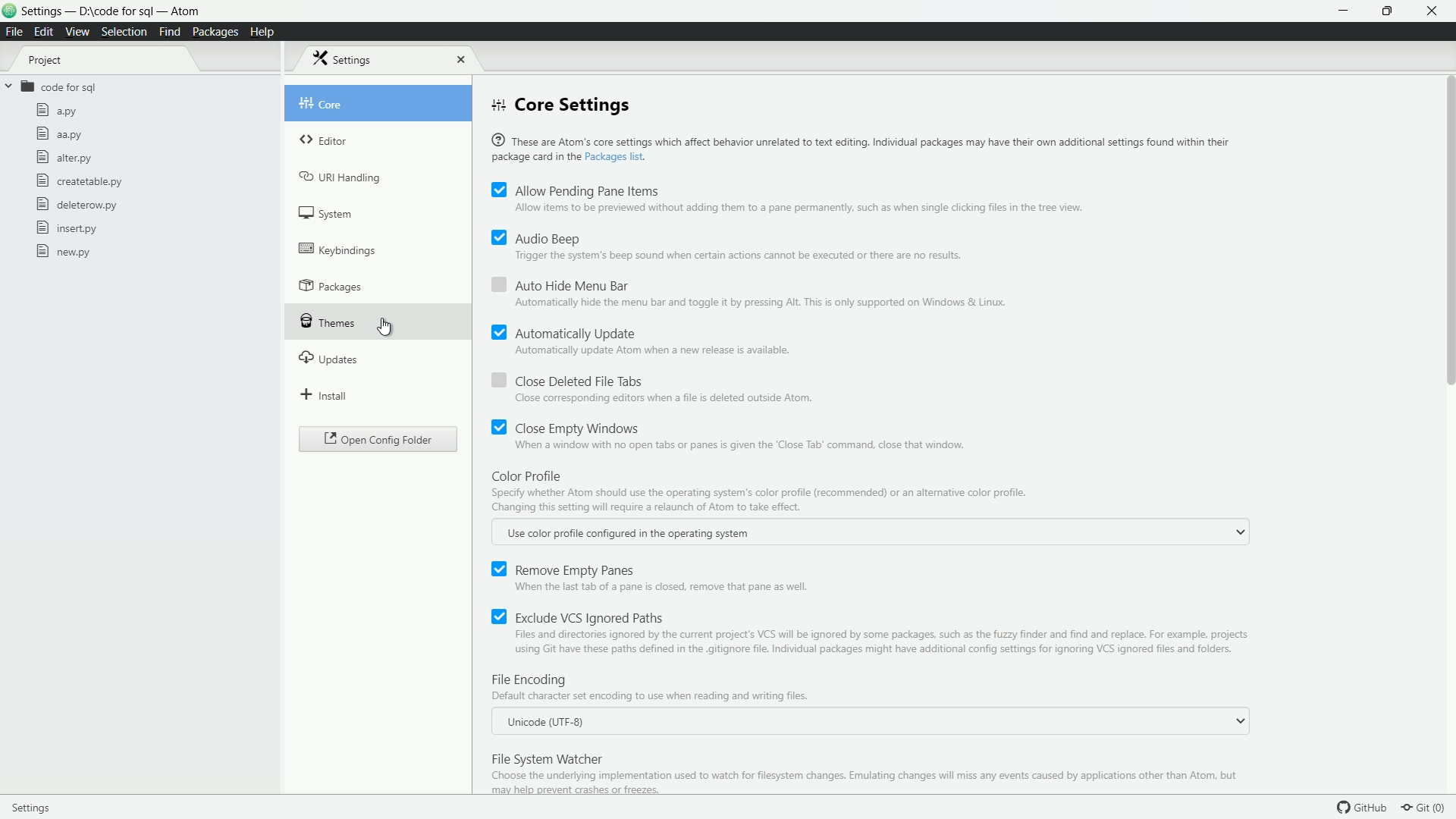  I want to click on close app, so click(1434, 11).